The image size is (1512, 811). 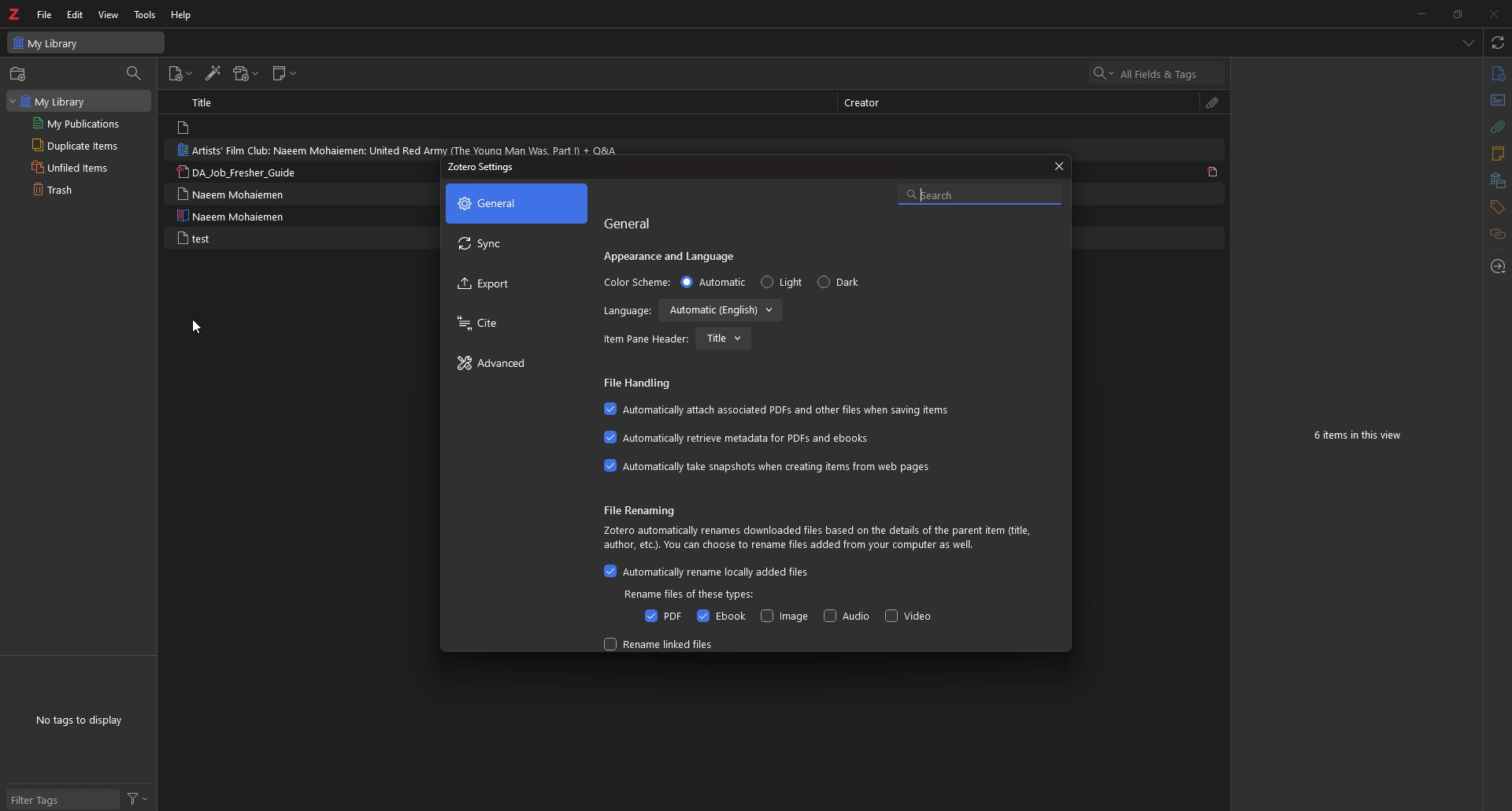 I want to click on No tags to display, so click(x=81, y=719).